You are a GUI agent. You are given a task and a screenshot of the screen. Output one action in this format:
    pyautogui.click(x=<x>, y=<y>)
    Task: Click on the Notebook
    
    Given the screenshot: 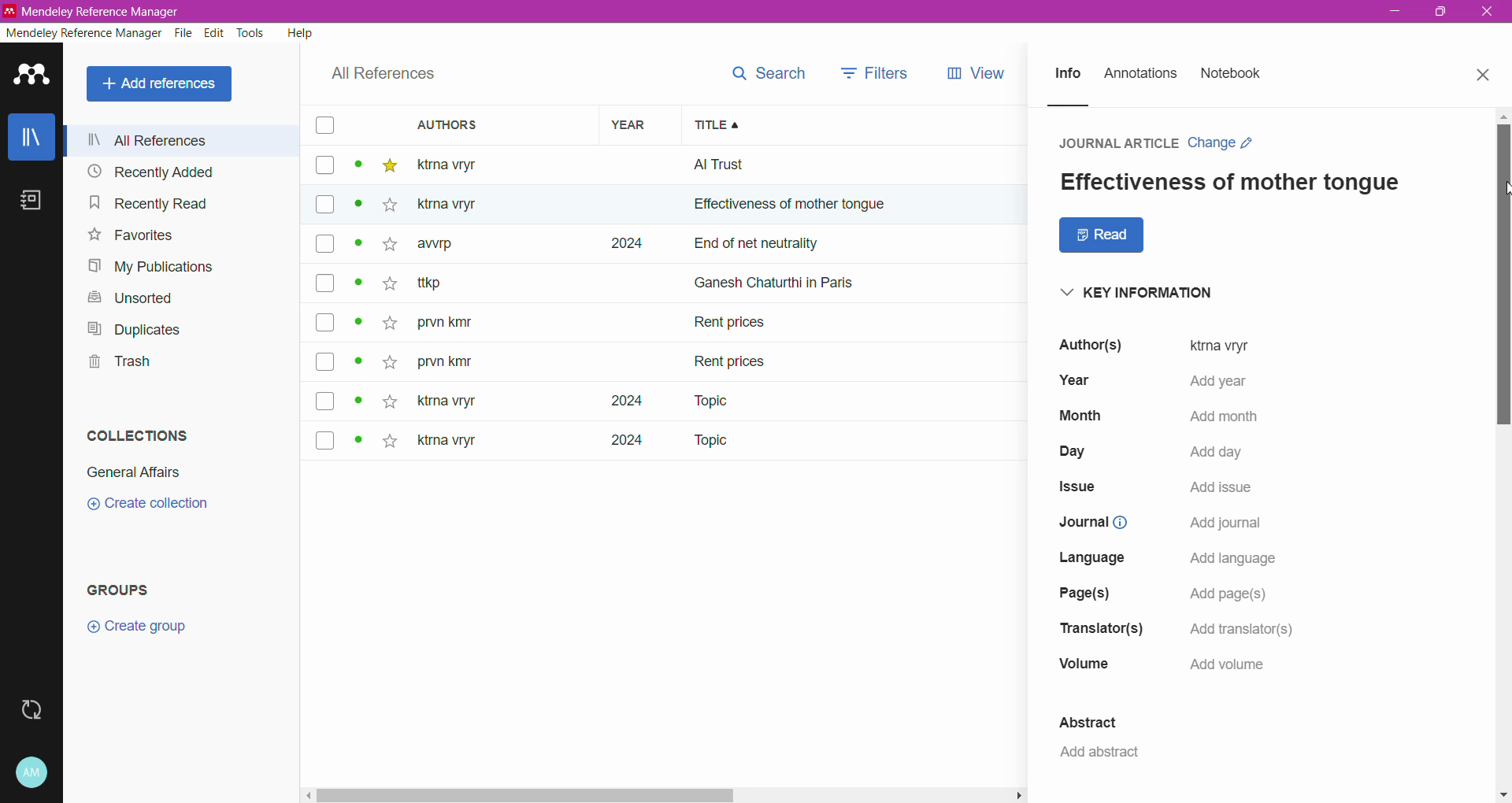 What is the action you would take?
    pyautogui.click(x=31, y=200)
    